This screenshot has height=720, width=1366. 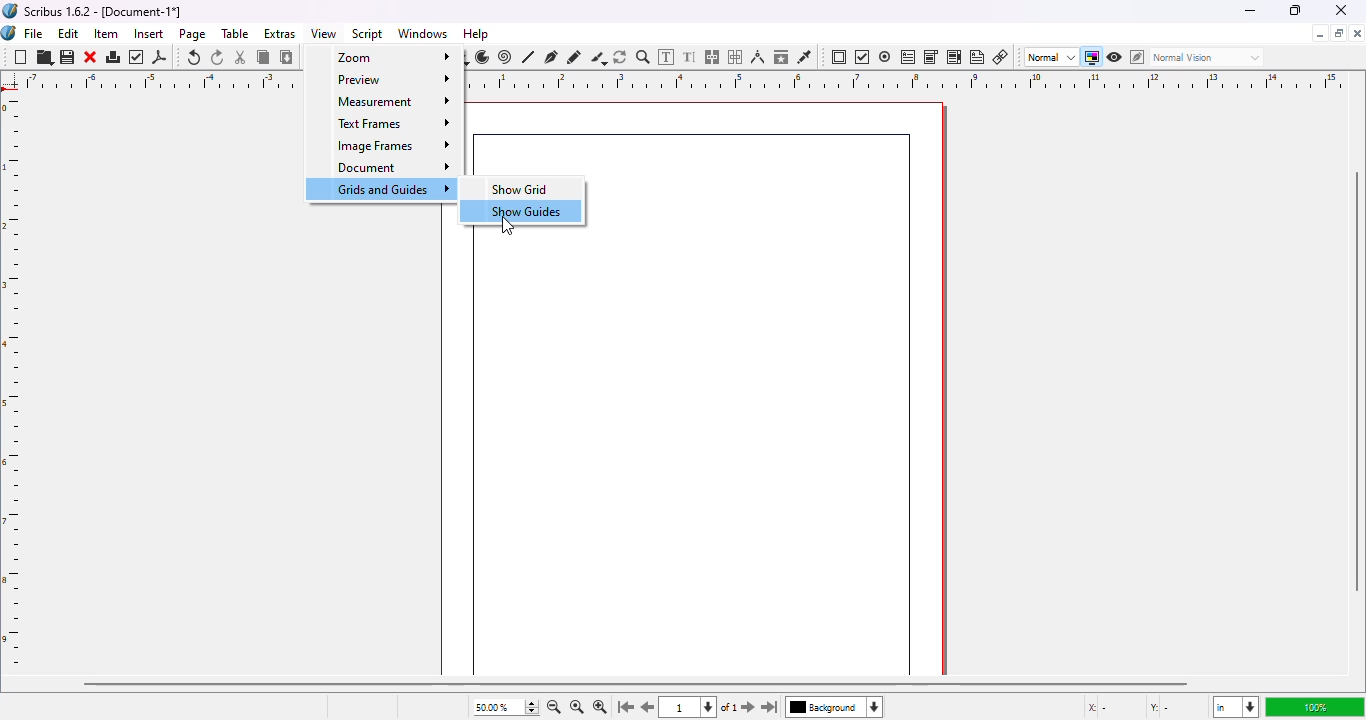 I want to click on close, so click(x=1357, y=33).